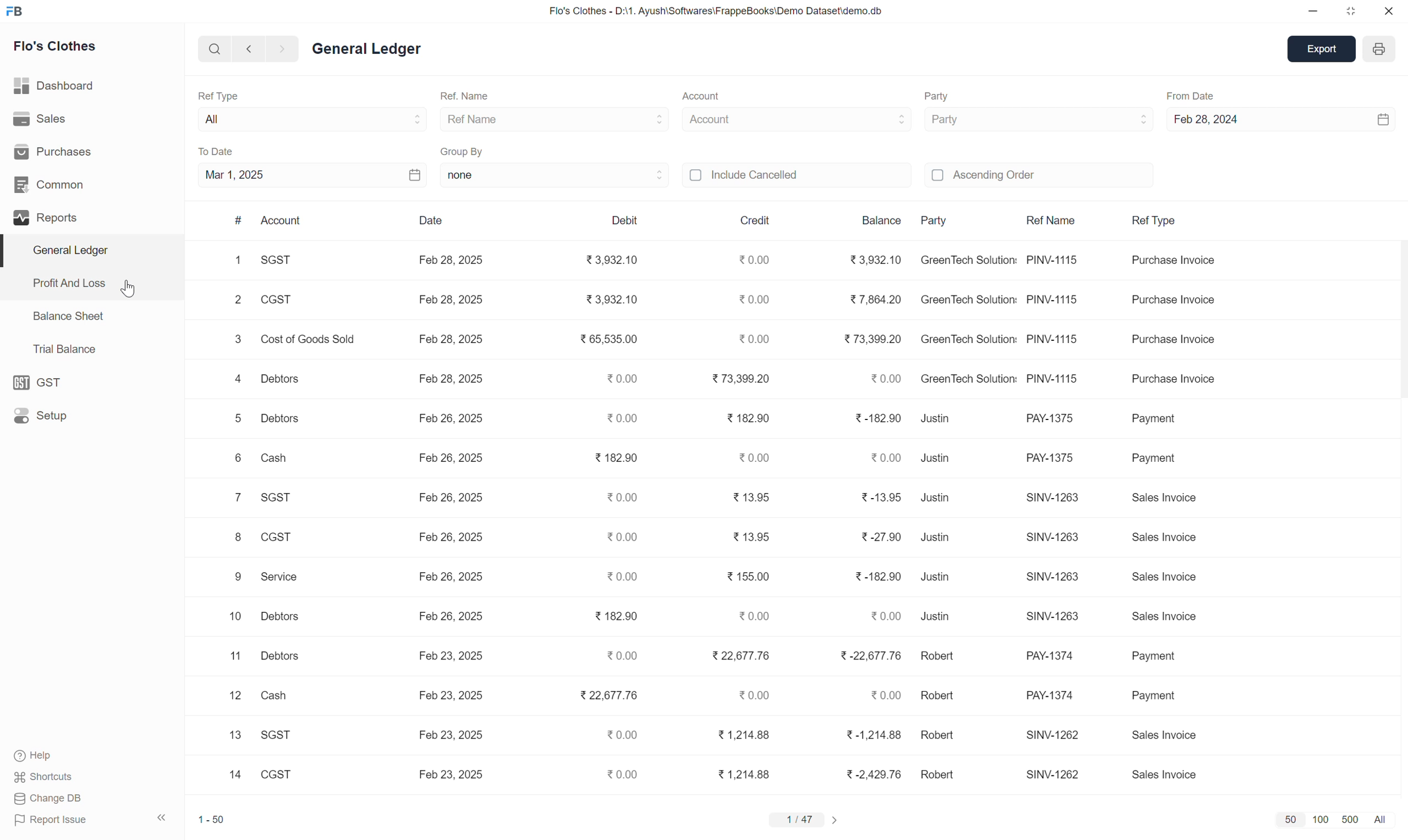 The height and width of the screenshot is (840, 1408). What do you see at coordinates (273, 772) in the screenshot?
I see `CGST` at bounding box center [273, 772].